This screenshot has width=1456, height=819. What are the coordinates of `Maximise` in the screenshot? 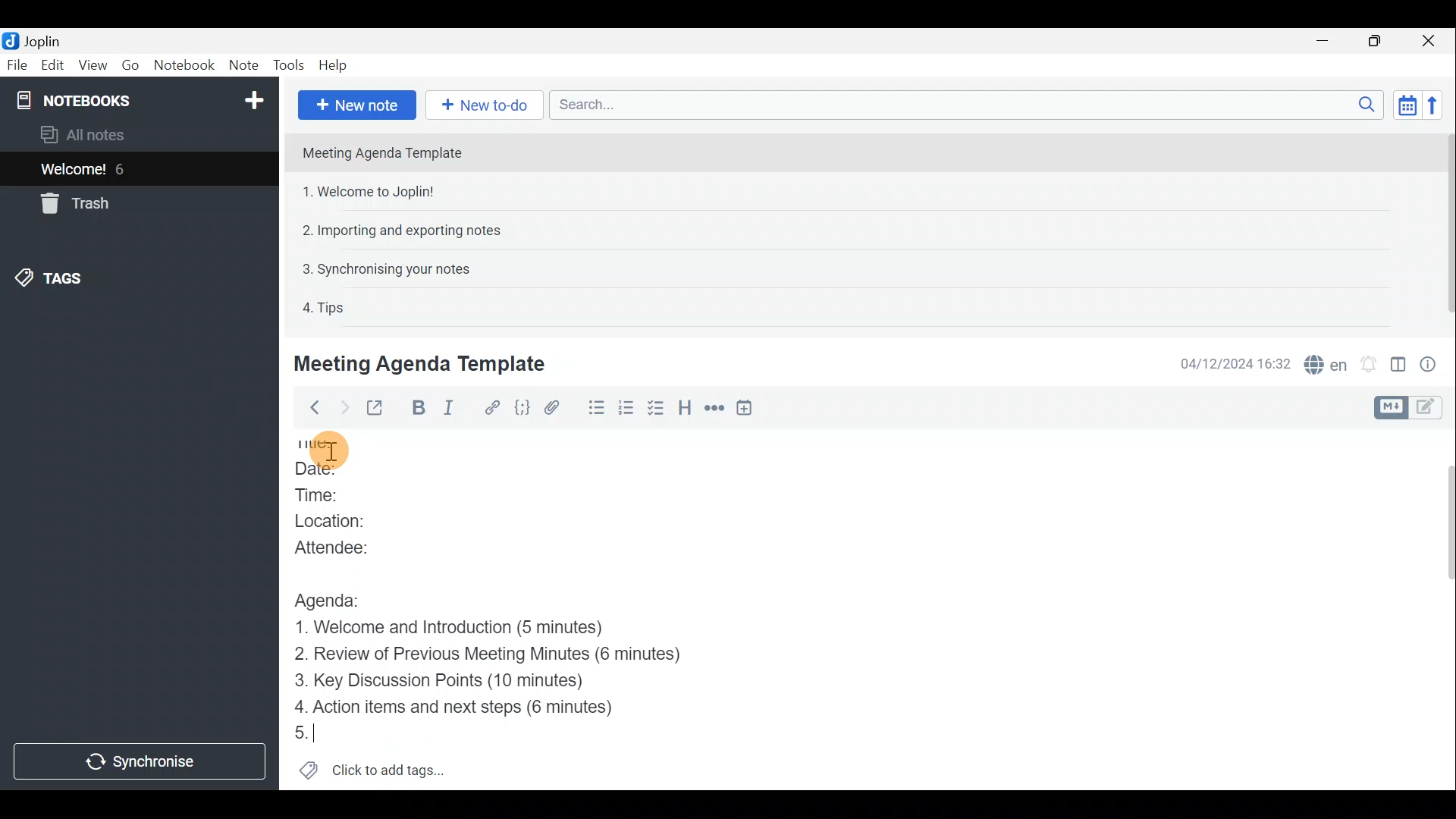 It's located at (1376, 42).